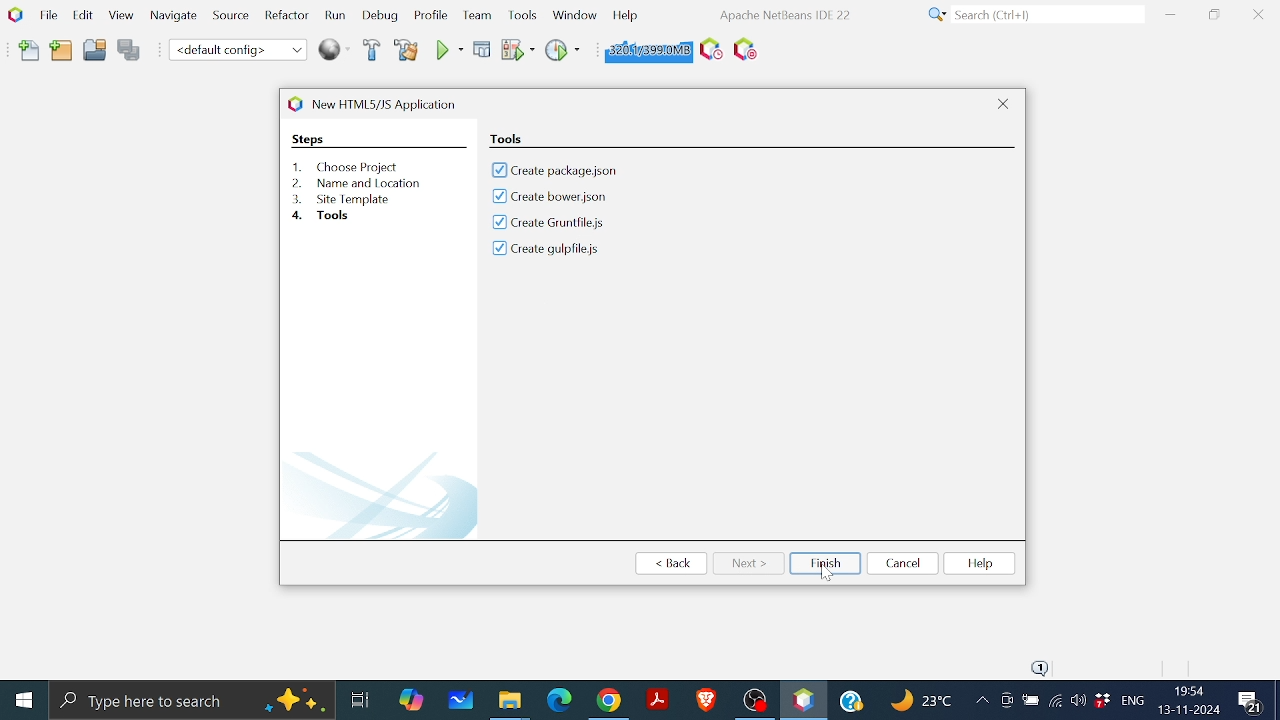 The width and height of the screenshot is (1280, 720). What do you see at coordinates (1214, 14) in the screenshot?
I see `Restore down` at bounding box center [1214, 14].